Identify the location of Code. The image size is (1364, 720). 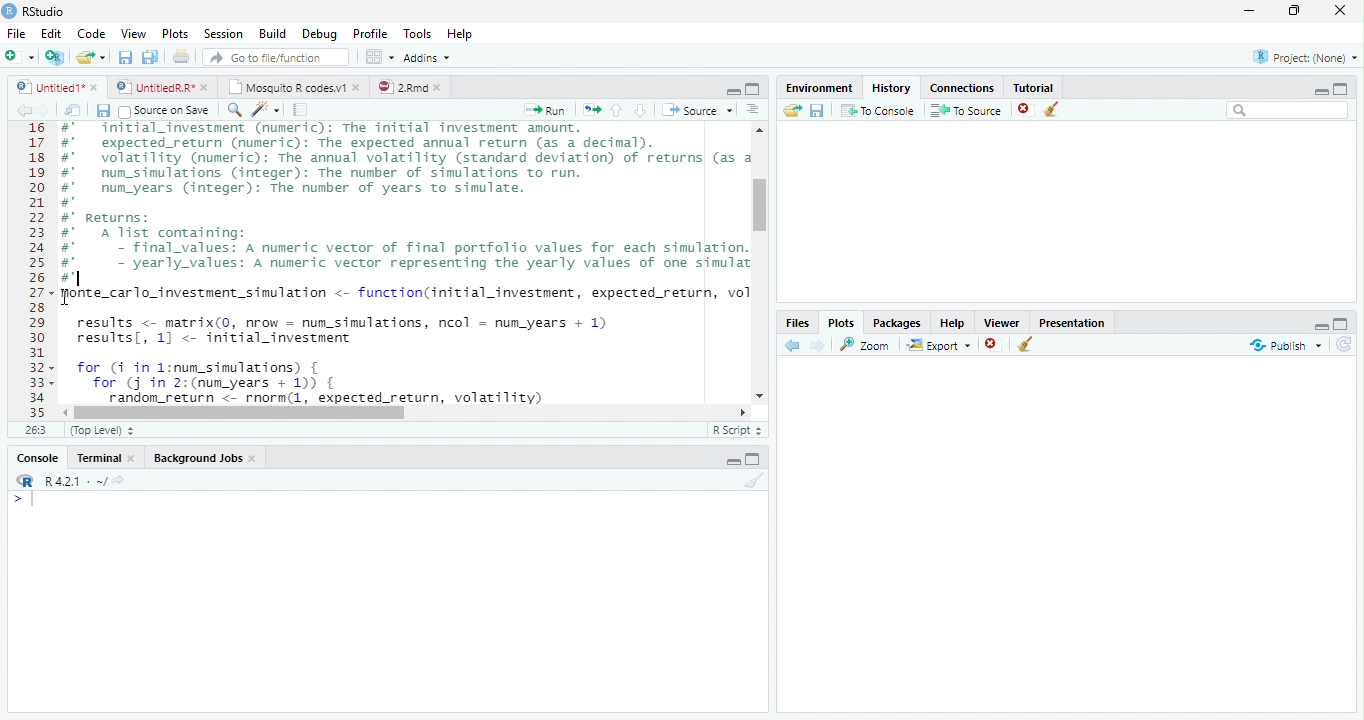
(89, 33).